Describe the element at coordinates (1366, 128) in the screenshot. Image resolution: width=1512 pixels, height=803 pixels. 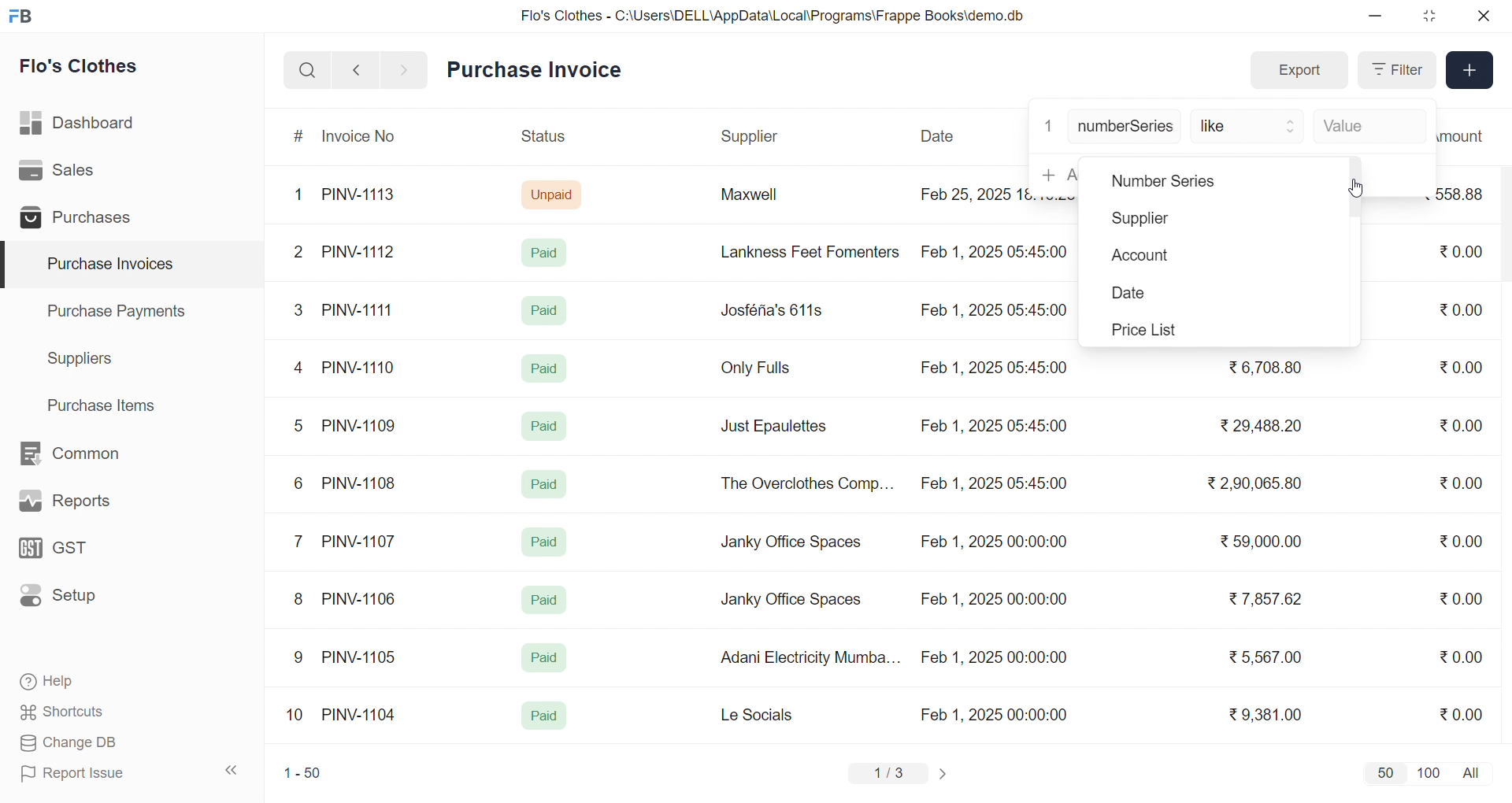
I see `Value` at that location.